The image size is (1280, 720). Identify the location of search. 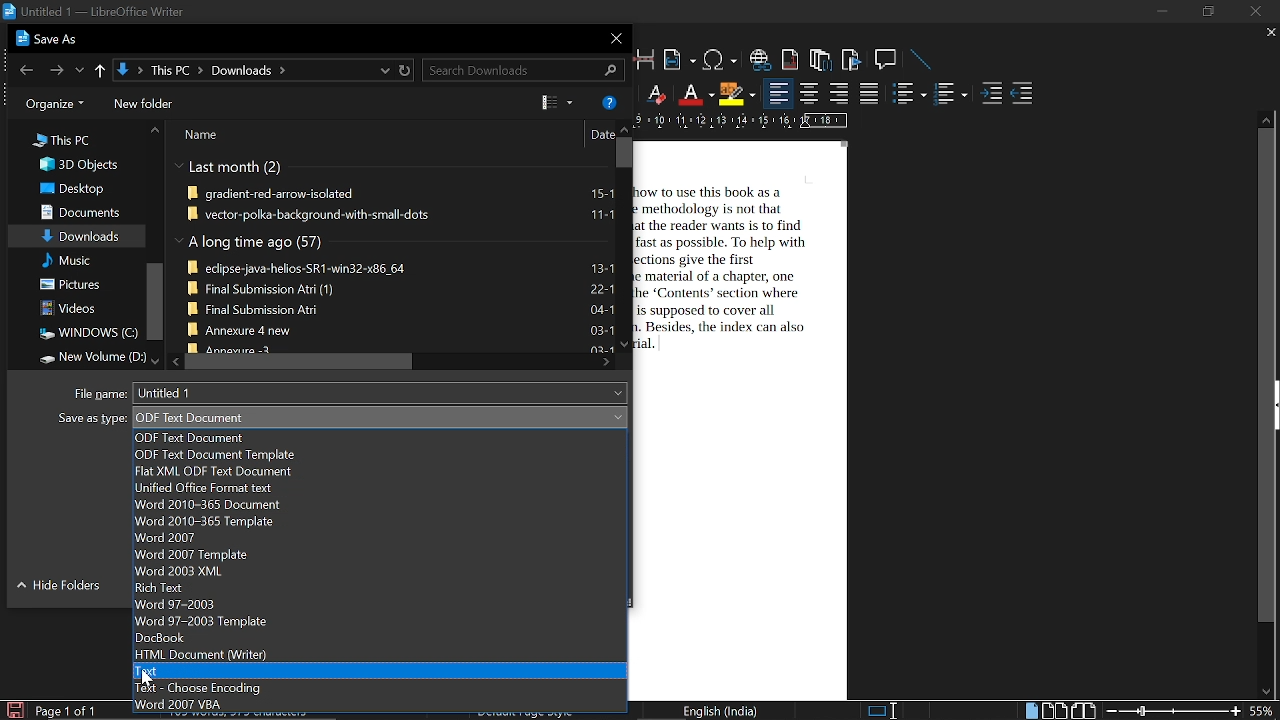
(520, 71).